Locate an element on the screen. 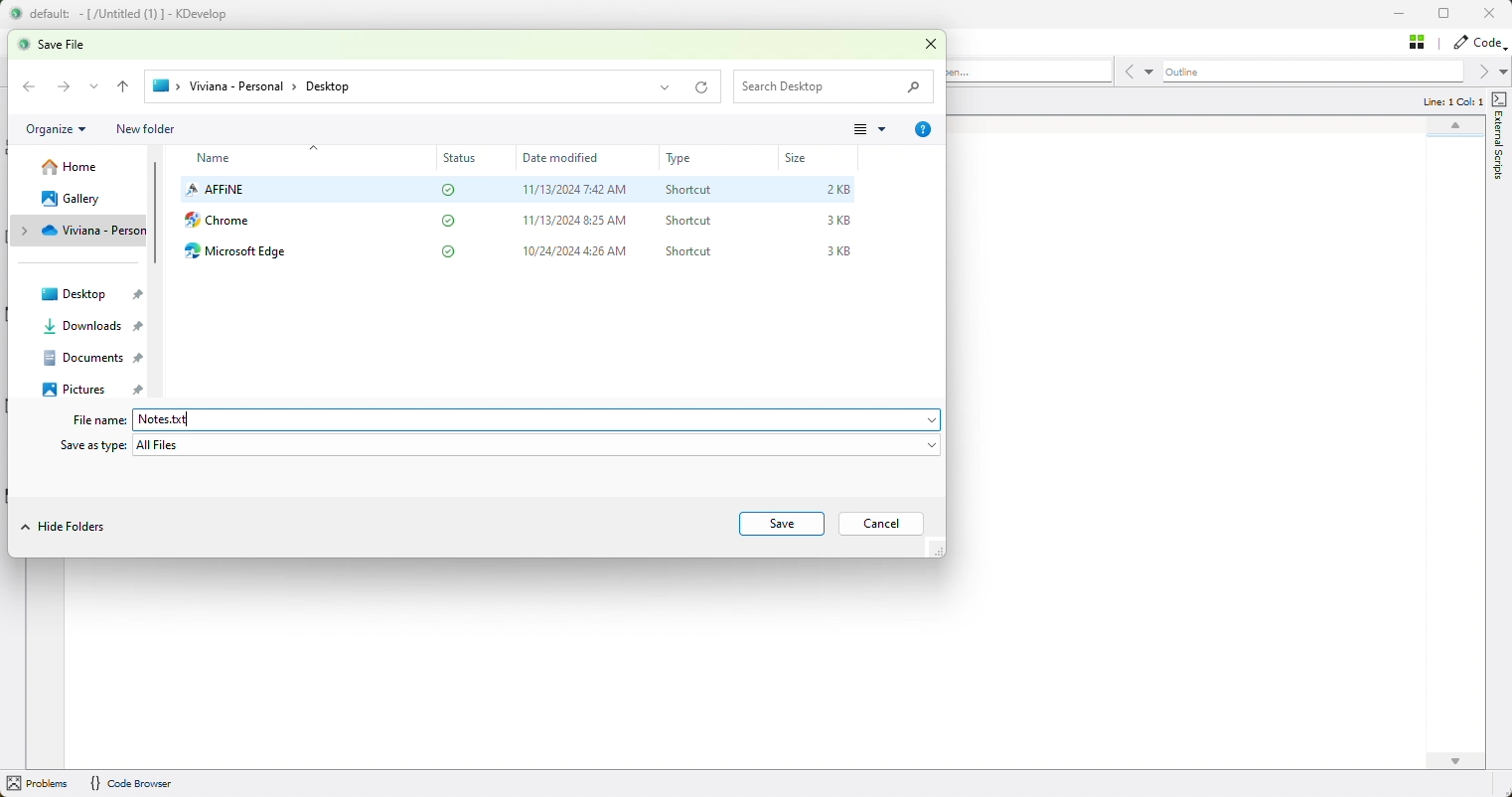 This screenshot has height=797, width=1512. backward is located at coordinates (28, 87).